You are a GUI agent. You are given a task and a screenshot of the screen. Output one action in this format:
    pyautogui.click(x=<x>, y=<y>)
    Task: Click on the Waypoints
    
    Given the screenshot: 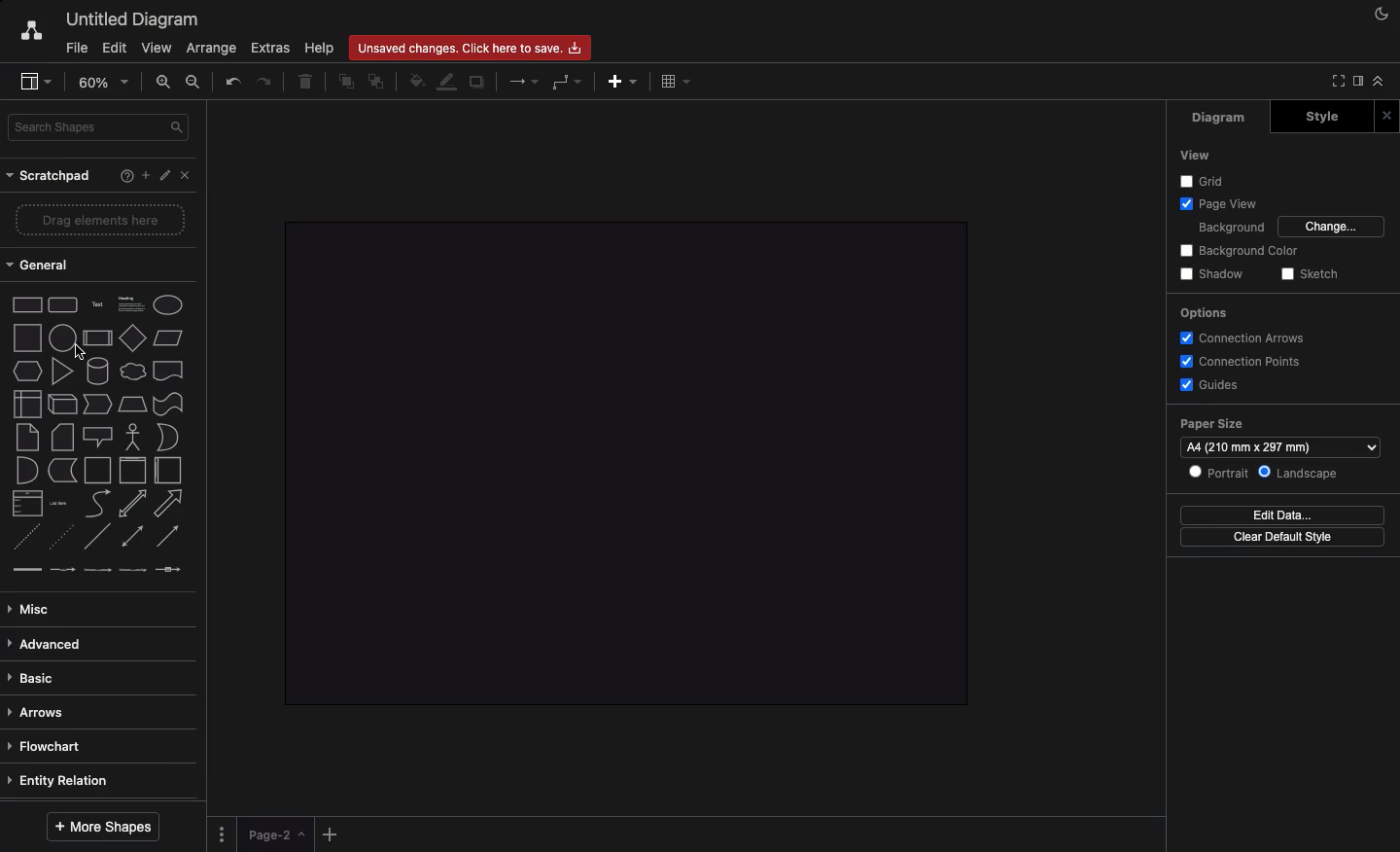 What is the action you would take?
    pyautogui.click(x=568, y=83)
    